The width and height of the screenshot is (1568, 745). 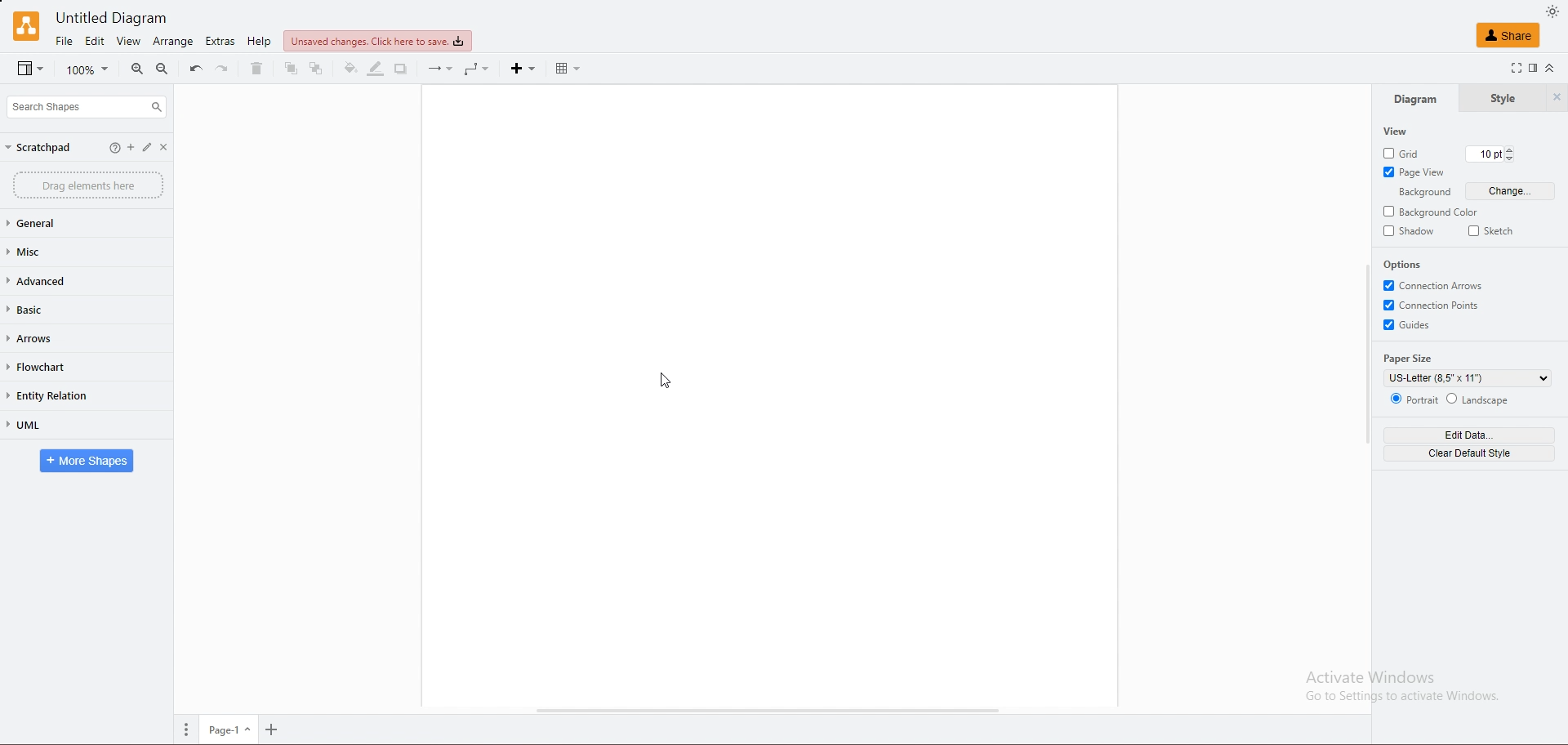 I want to click on hide, so click(x=1557, y=99).